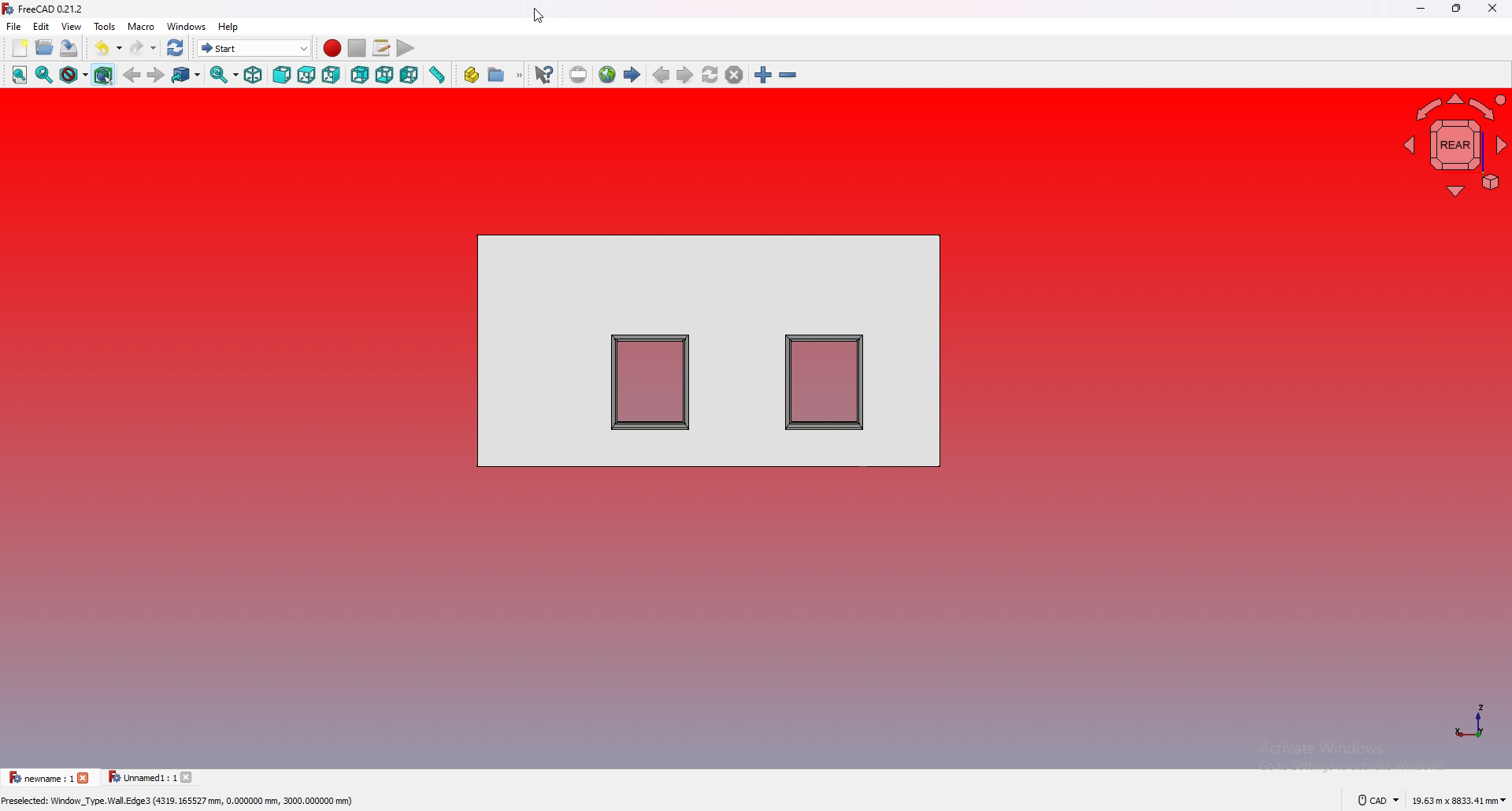 The image size is (1512, 811). Describe the element at coordinates (74, 75) in the screenshot. I see `draw style` at that location.